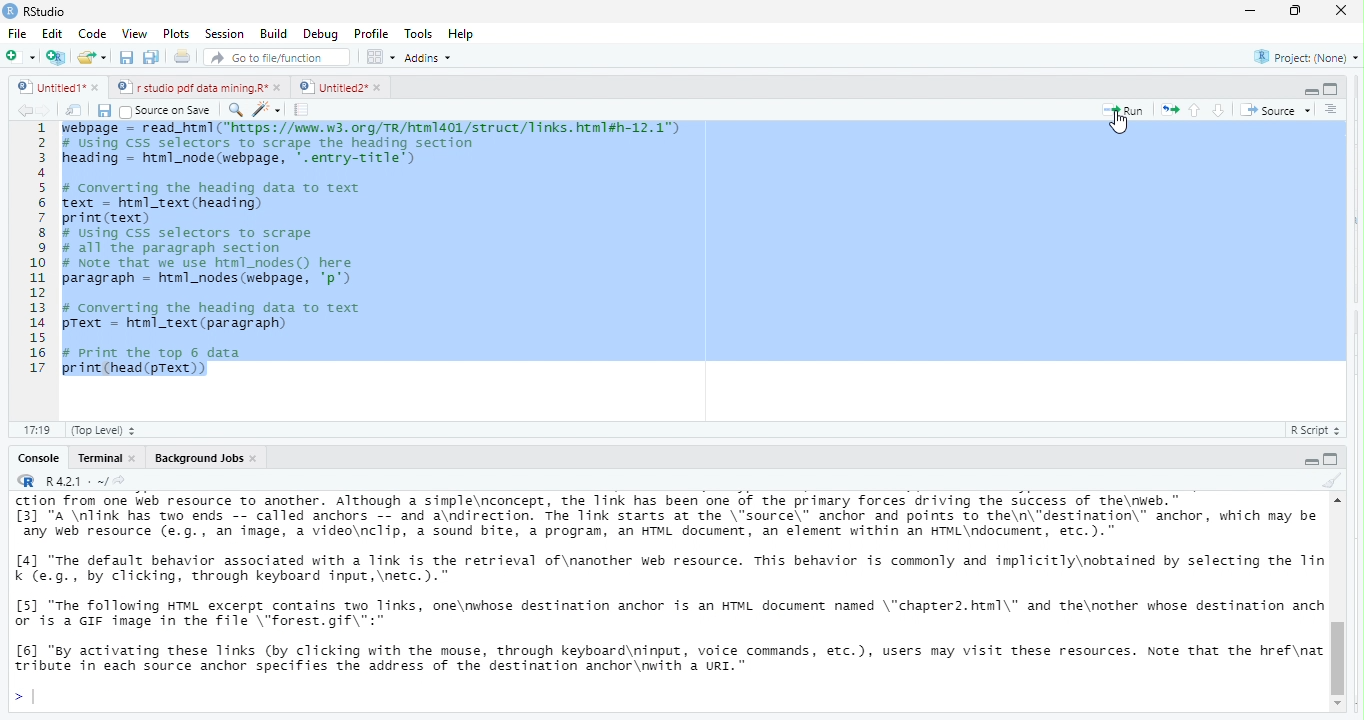 The image size is (1364, 720). I want to click on go back to the previous source location, so click(25, 110).